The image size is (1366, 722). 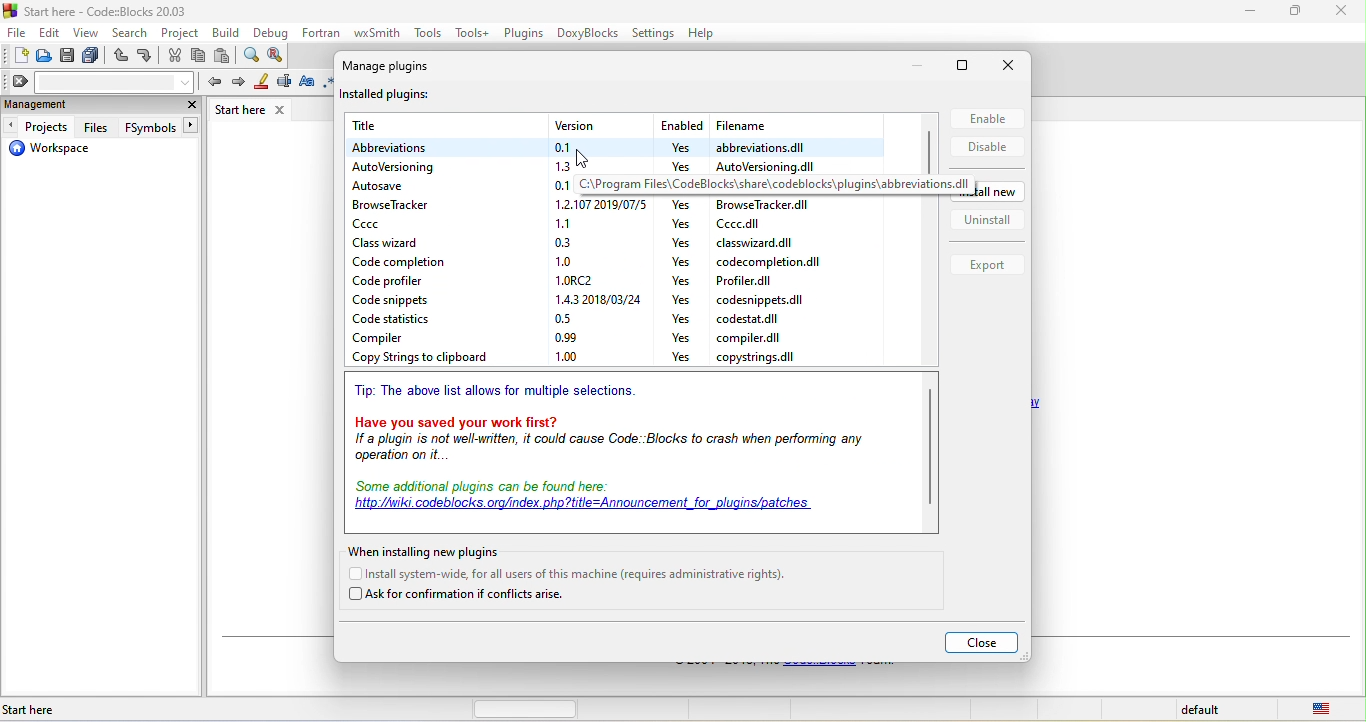 I want to click on save, so click(x=67, y=57).